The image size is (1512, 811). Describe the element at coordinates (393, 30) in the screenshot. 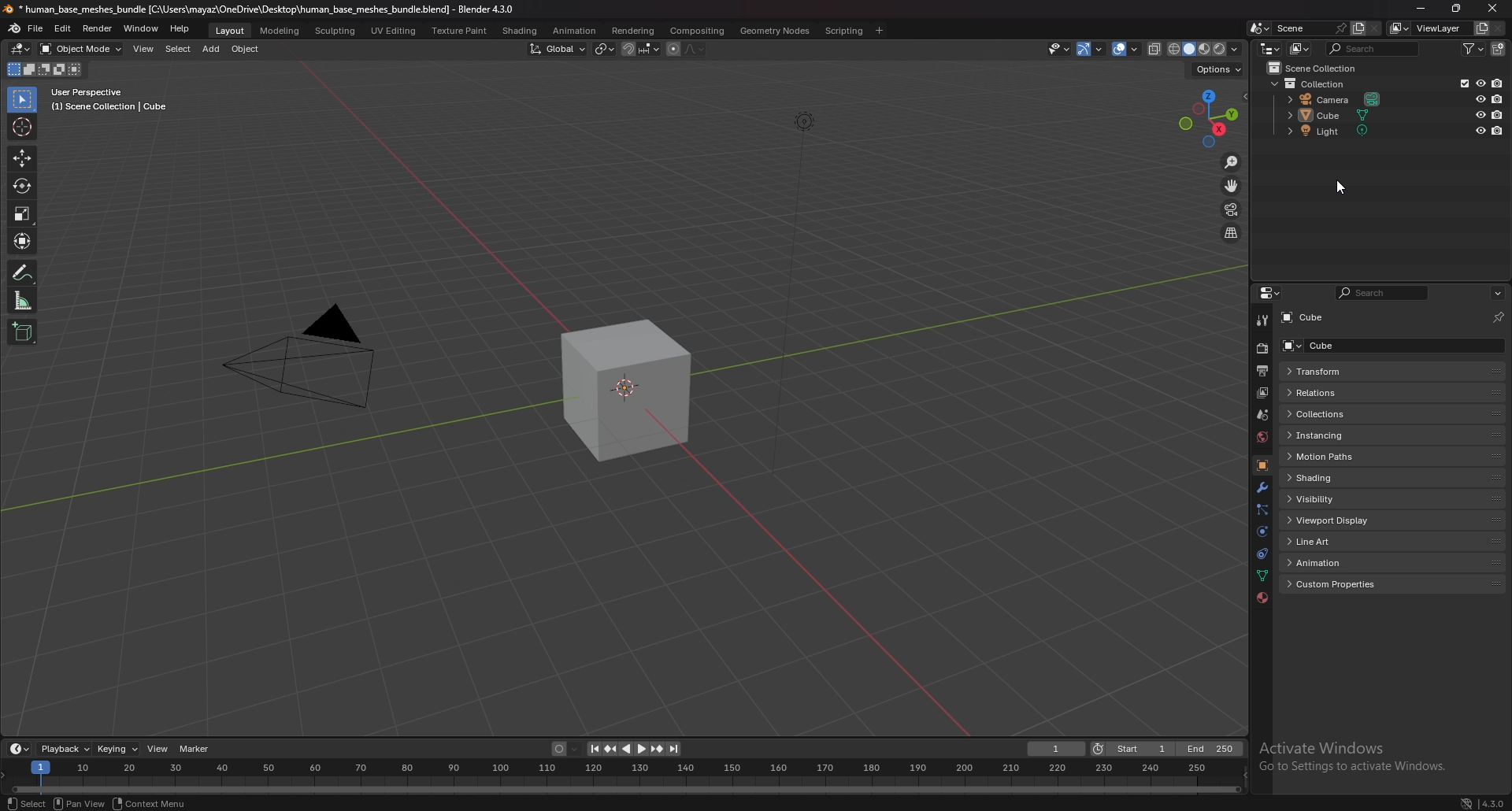

I see `uv editing` at that location.